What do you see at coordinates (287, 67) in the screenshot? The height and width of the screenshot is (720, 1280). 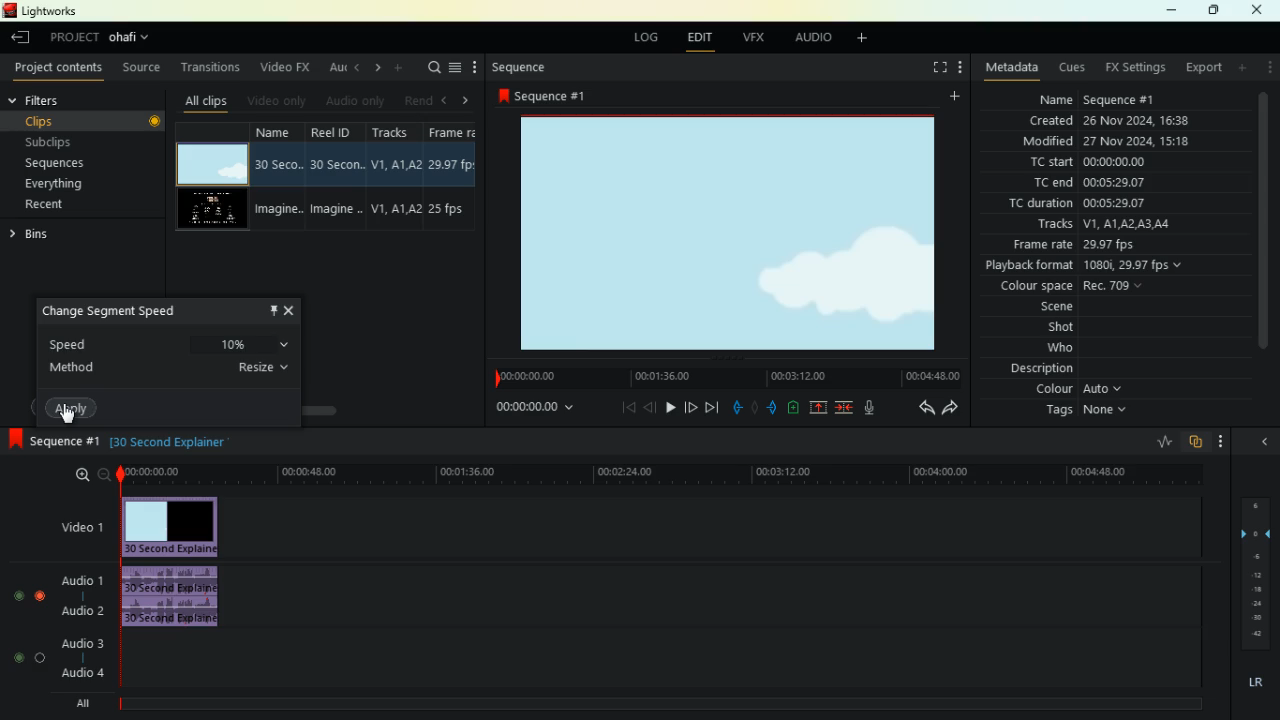 I see `video fx` at bounding box center [287, 67].